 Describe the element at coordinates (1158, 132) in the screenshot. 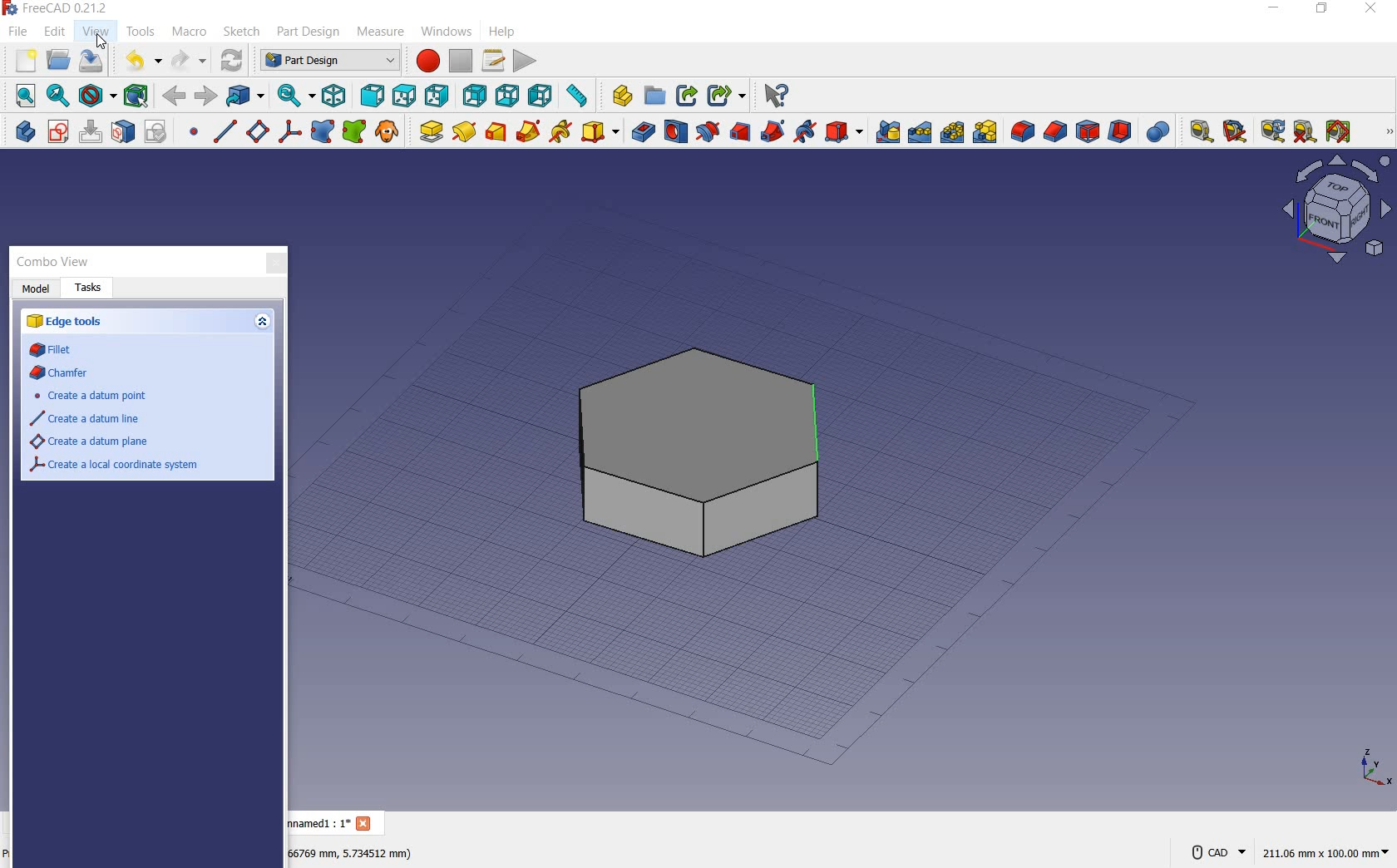

I see `Boolean Operation` at that location.